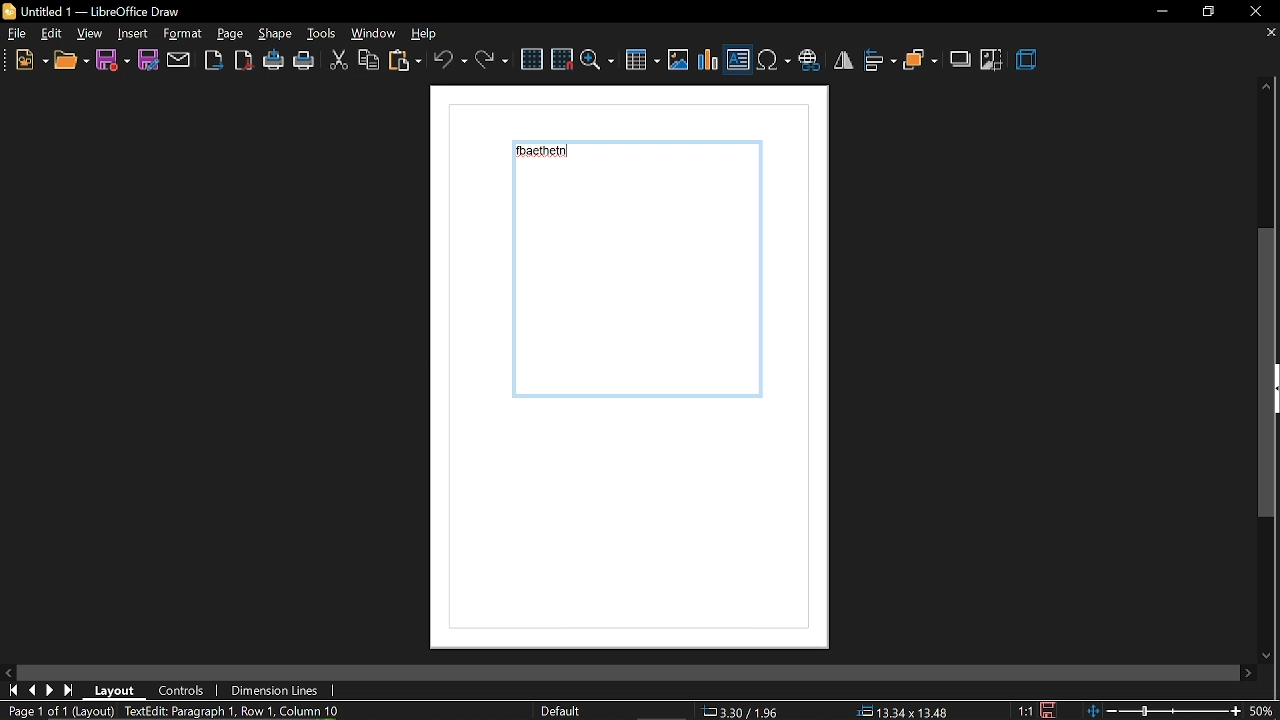  I want to click on align, so click(880, 62).